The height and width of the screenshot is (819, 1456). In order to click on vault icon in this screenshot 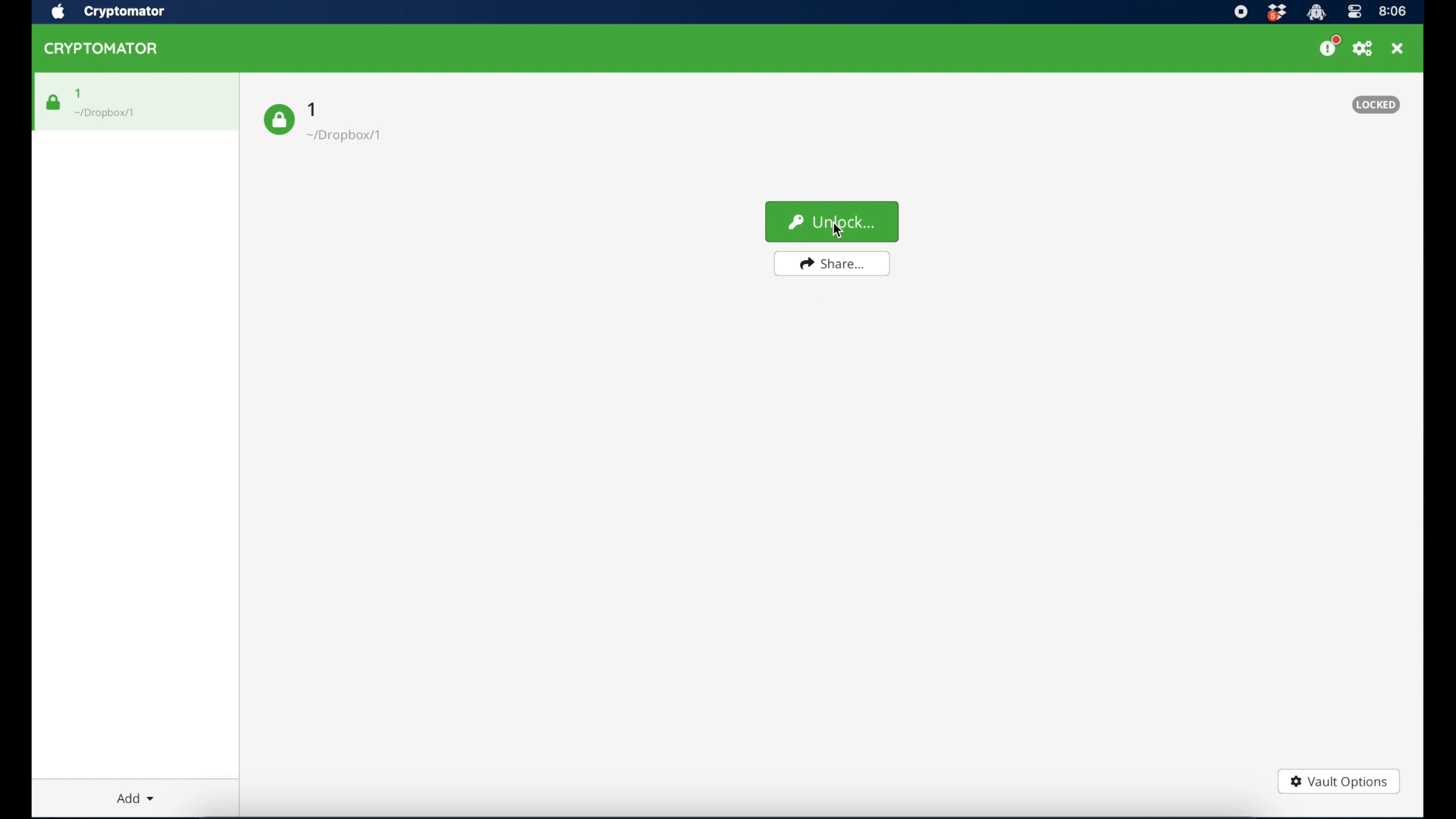, I will do `click(52, 102)`.